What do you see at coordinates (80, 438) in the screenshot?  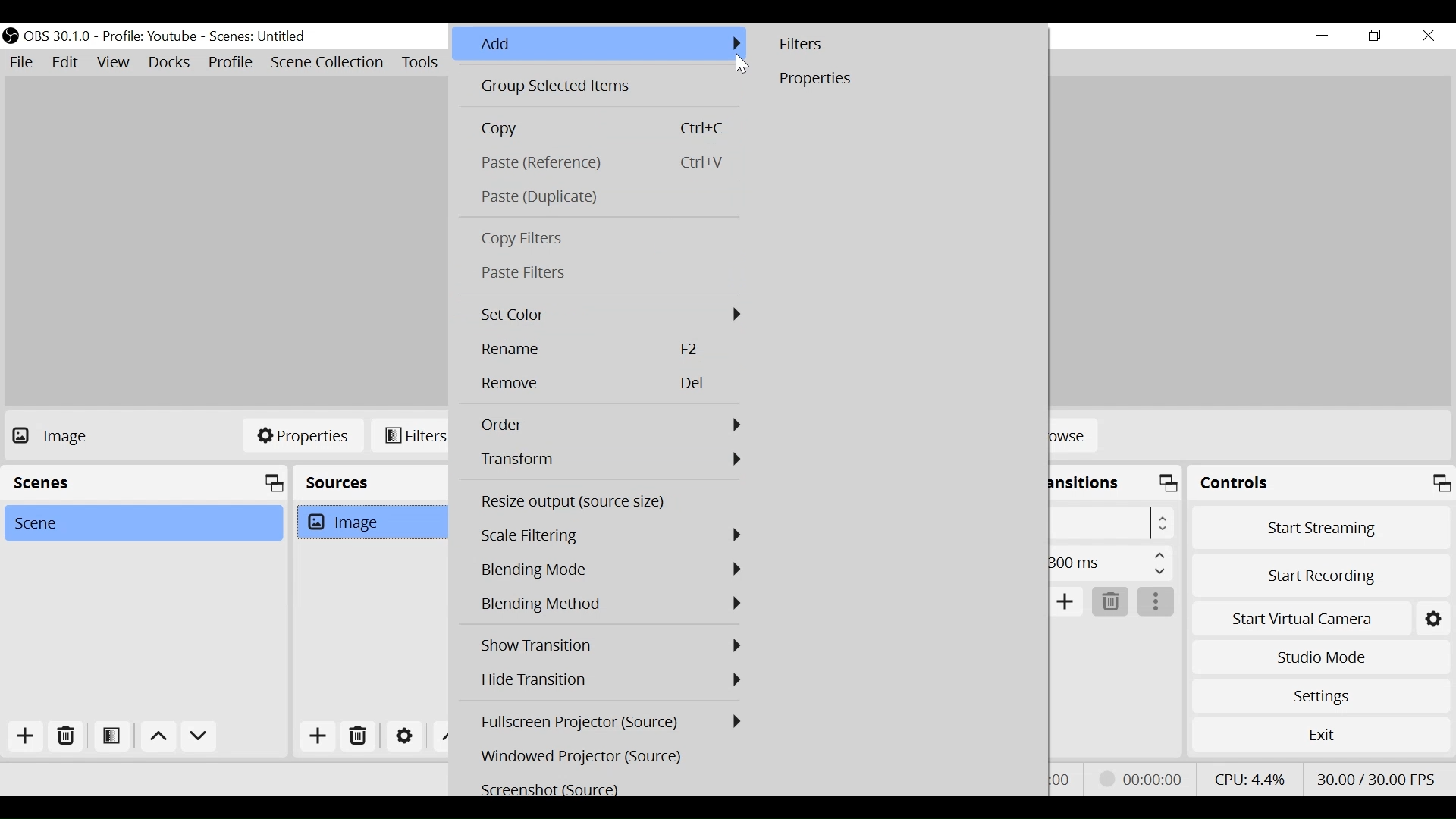 I see `No source Selected` at bounding box center [80, 438].